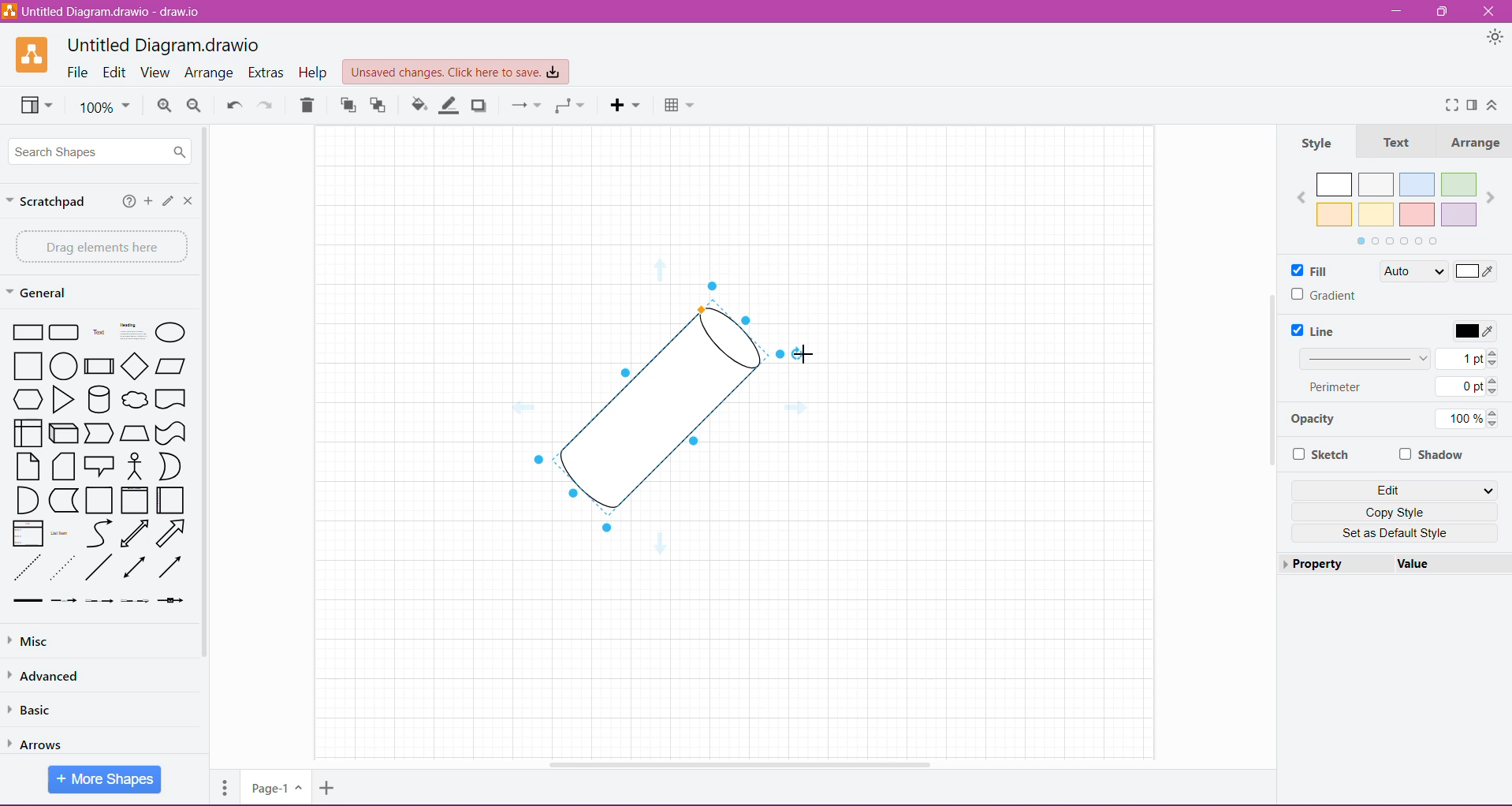 The width and height of the screenshot is (1512, 806). Describe the element at coordinates (1398, 511) in the screenshot. I see `Copy Style` at that location.